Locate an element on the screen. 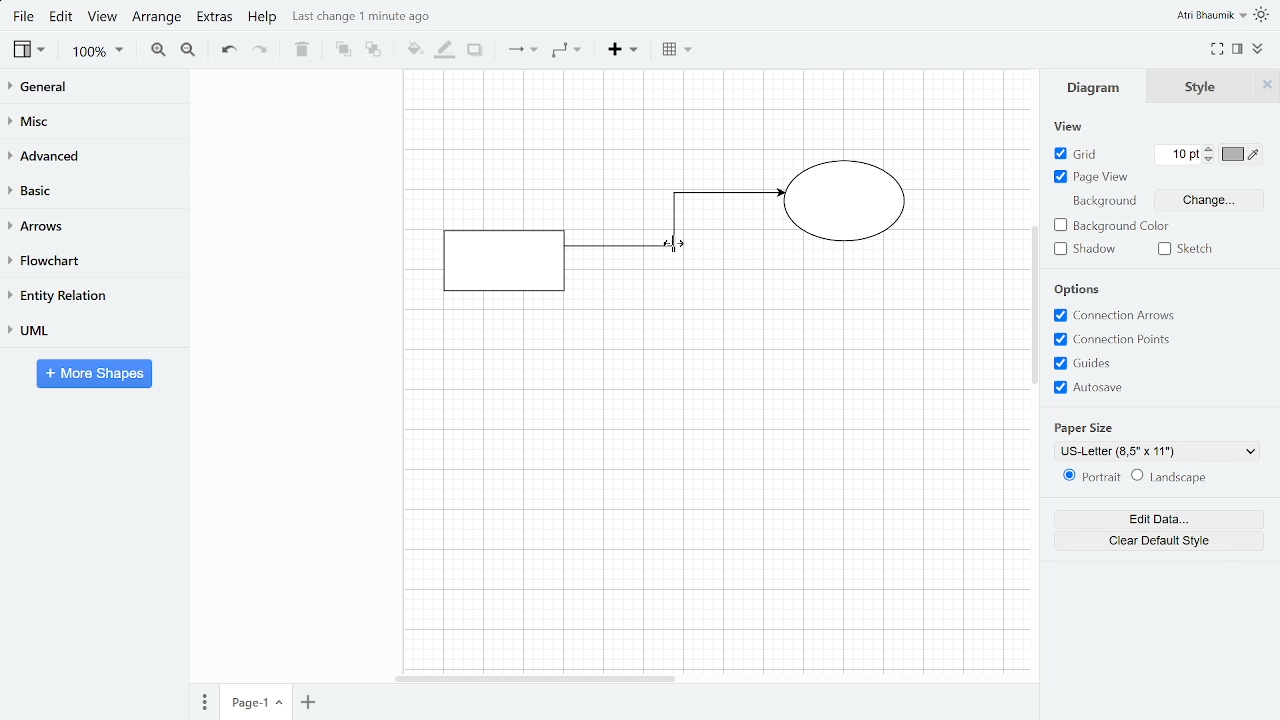  Delete is located at coordinates (300, 50).